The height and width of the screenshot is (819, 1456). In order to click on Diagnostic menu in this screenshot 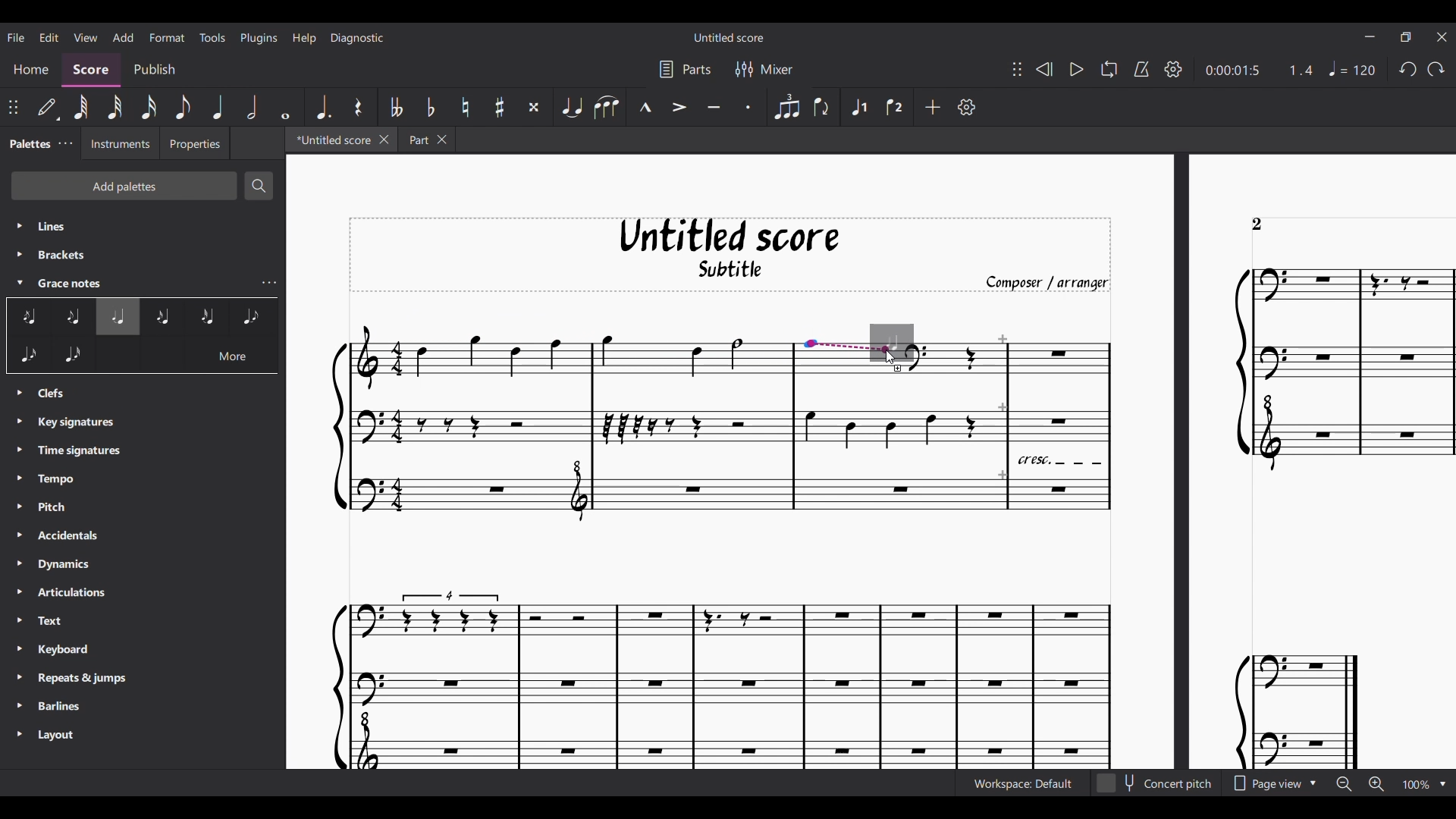, I will do `click(356, 38)`.